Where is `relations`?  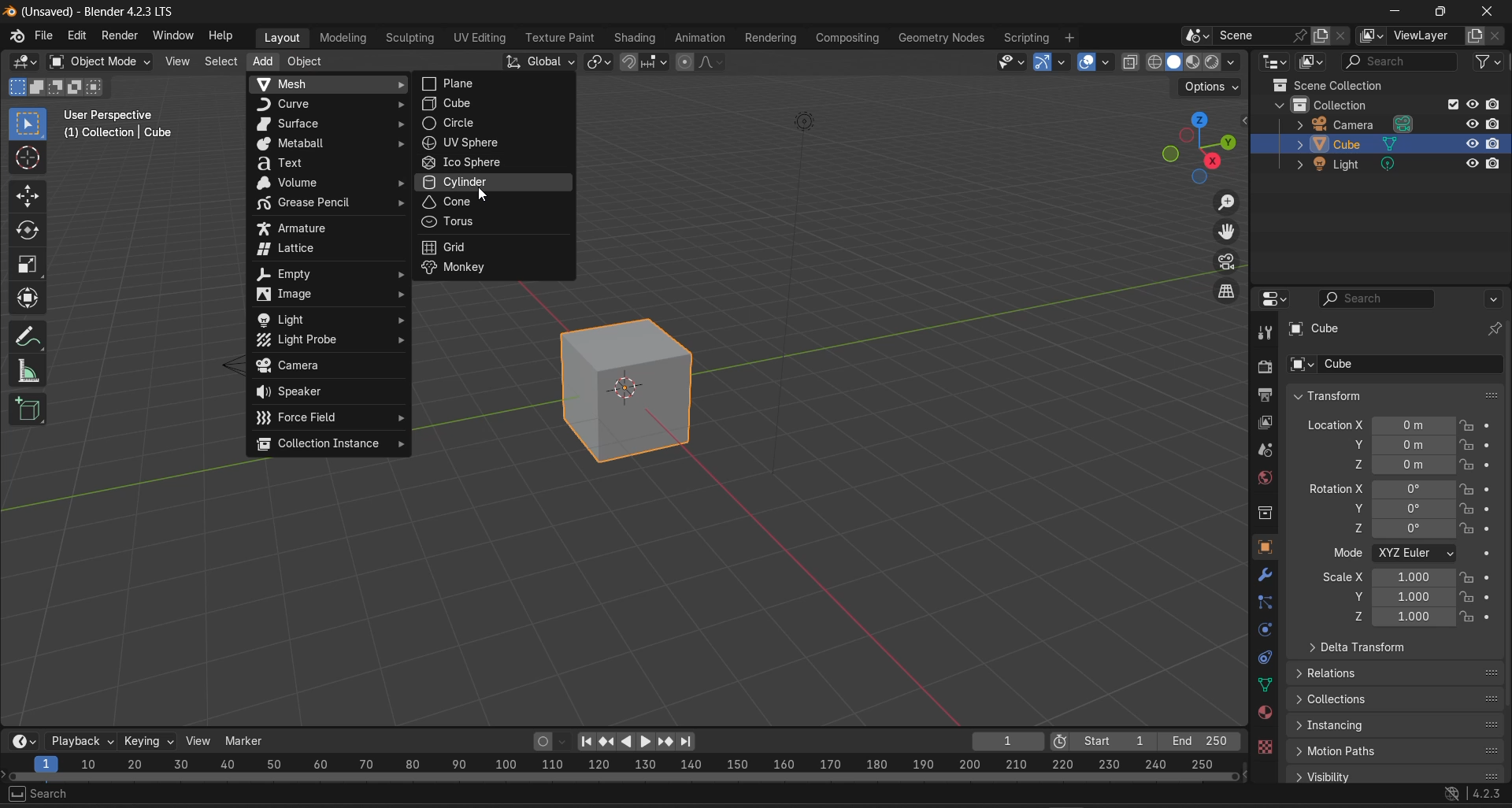
relations is located at coordinates (1395, 675).